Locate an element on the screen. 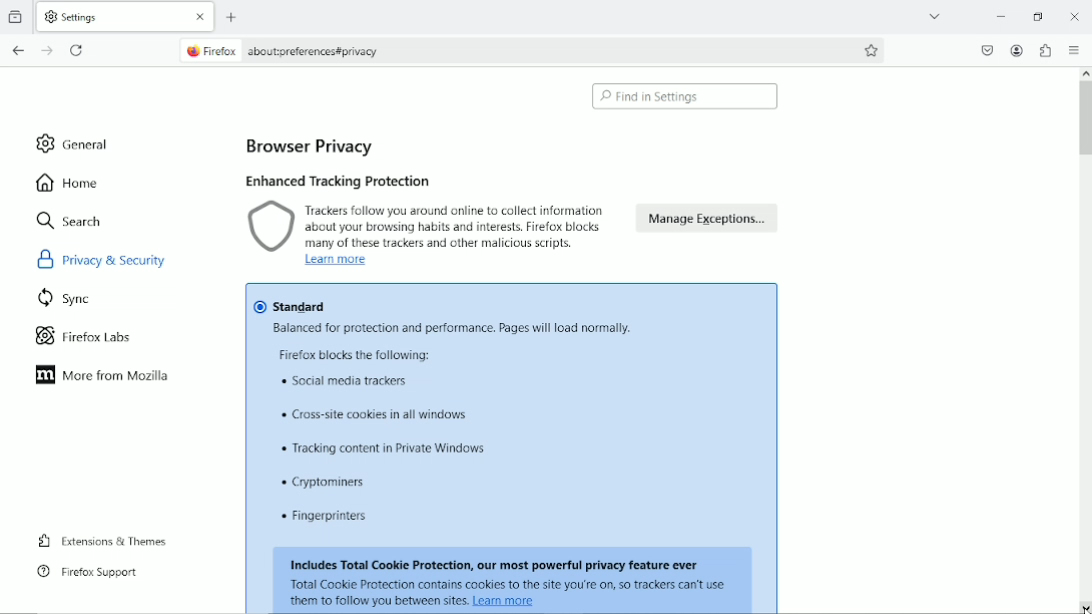 The width and height of the screenshot is (1092, 614). text is located at coordinates (454, 226).